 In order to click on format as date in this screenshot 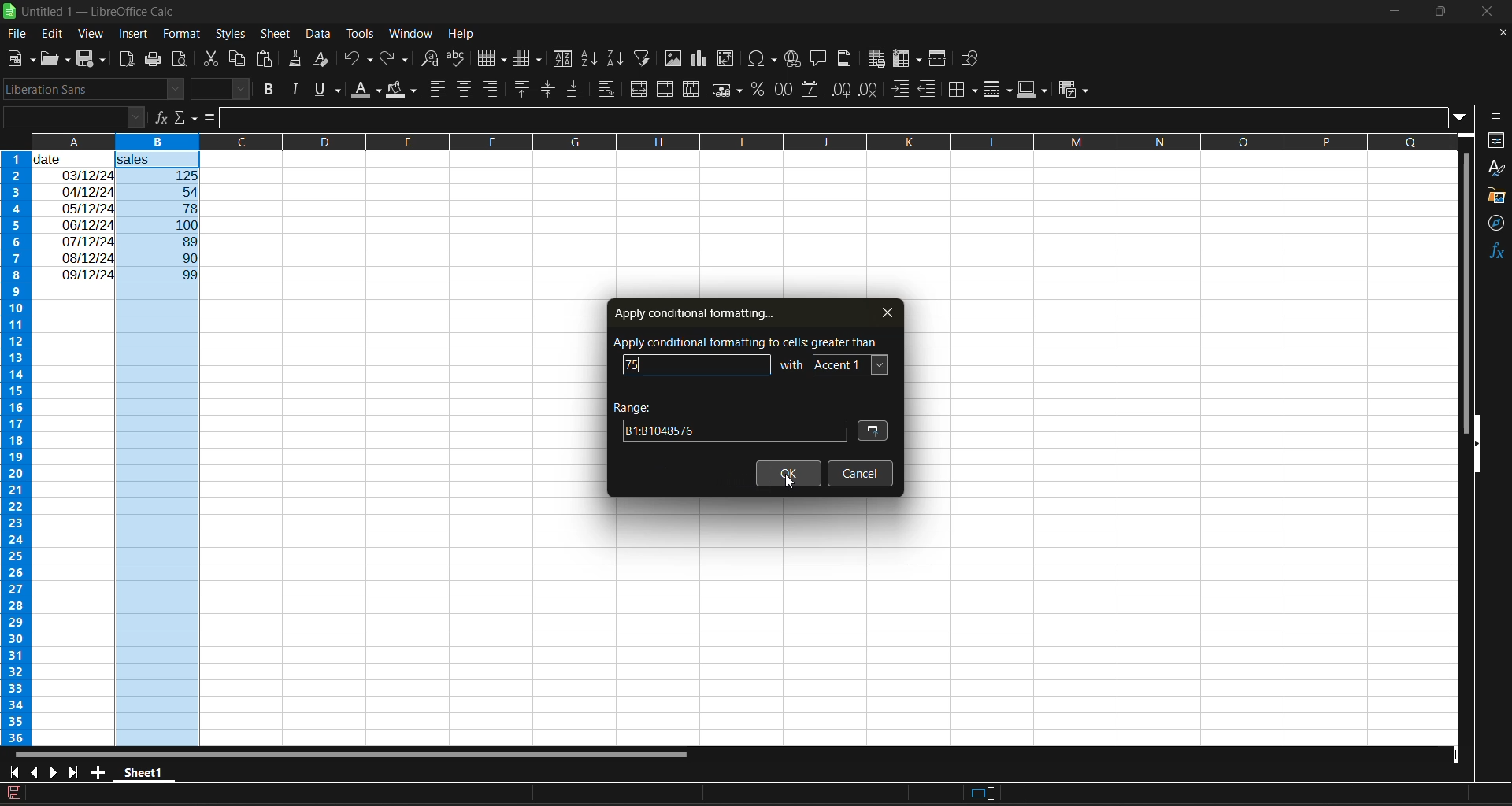, I will do `click(808, 91)`.